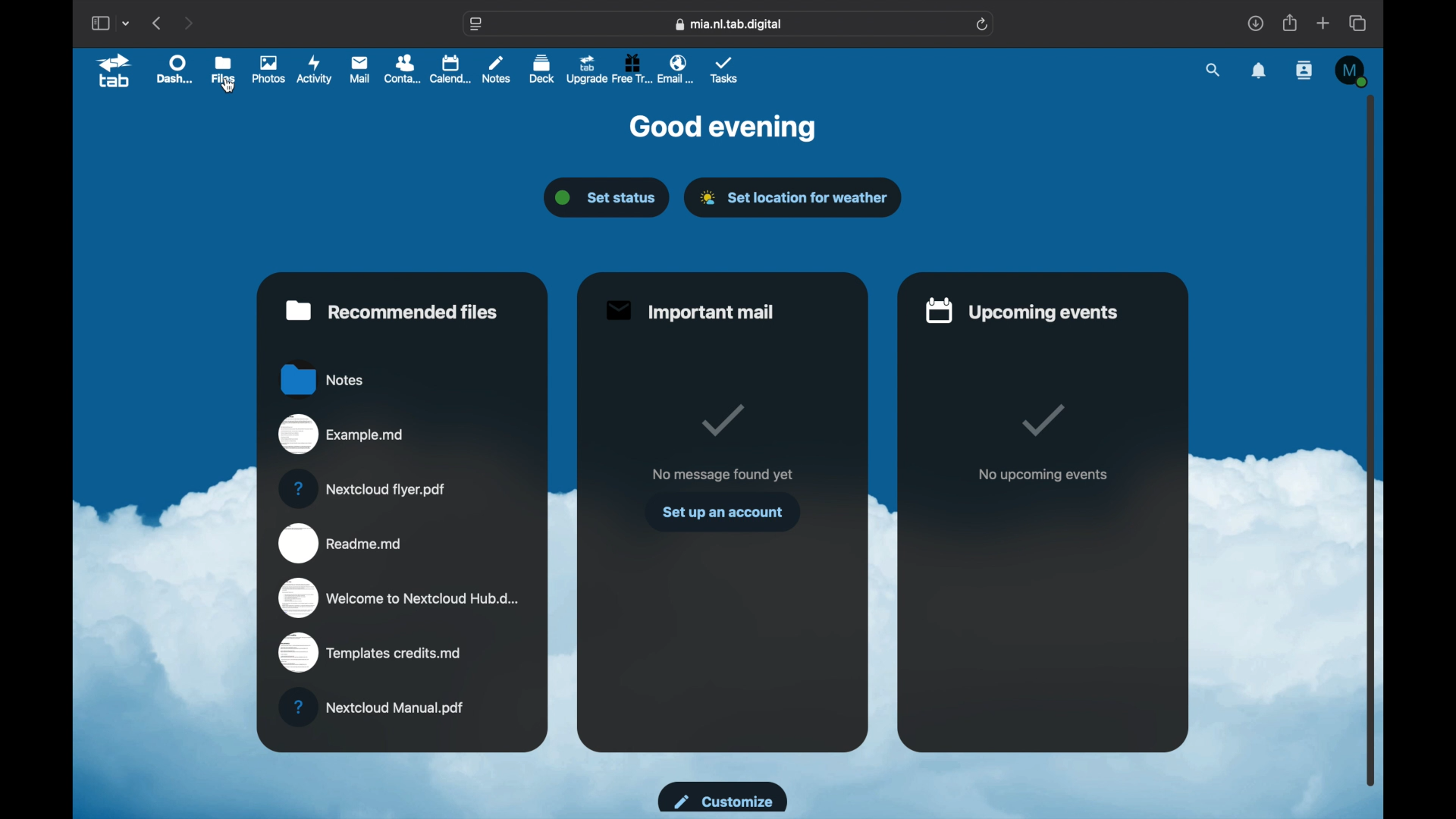 Image resolution: width=1456 pixels, height=819 pixels. What do you see at coordinates (1023, 310) in the screenshot?
I see `upcoming events` at bounding box center [1023, 310].